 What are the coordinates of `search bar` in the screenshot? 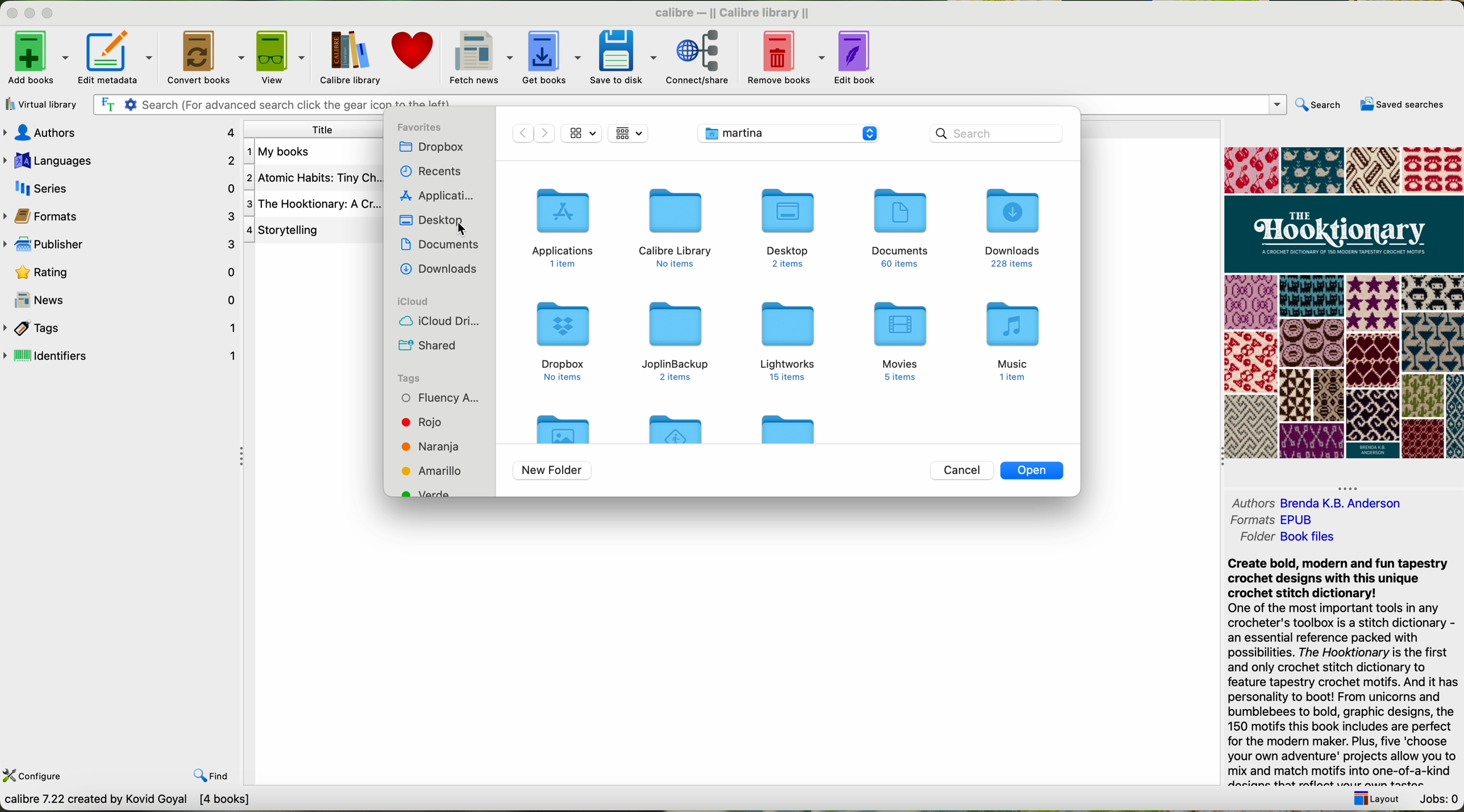 It's located at (996, 134).